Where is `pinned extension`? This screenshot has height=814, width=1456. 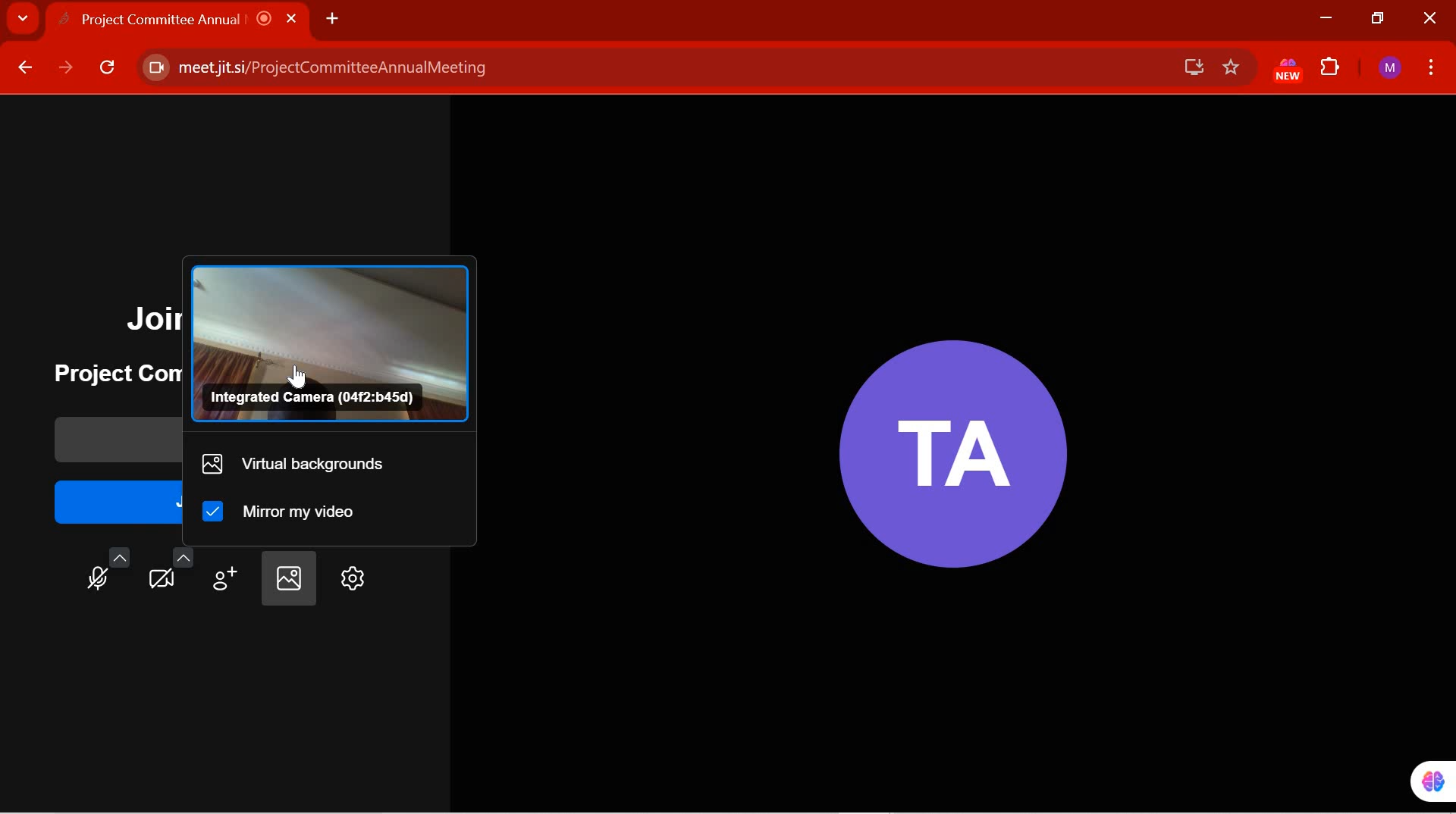
pinned extension is located at coordinates (1422, 781).